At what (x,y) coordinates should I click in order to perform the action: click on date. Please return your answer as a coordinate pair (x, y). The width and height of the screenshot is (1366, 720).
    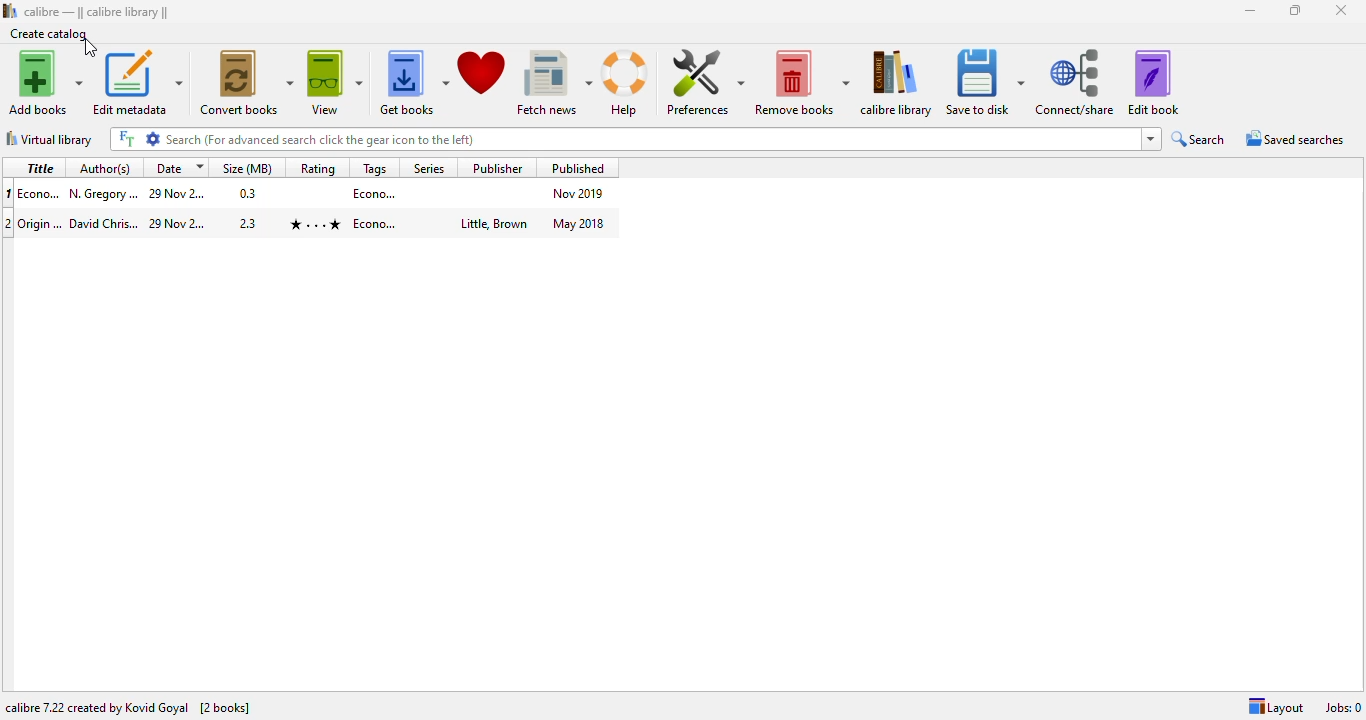
    Looking at the image, I should click on (178, 168).